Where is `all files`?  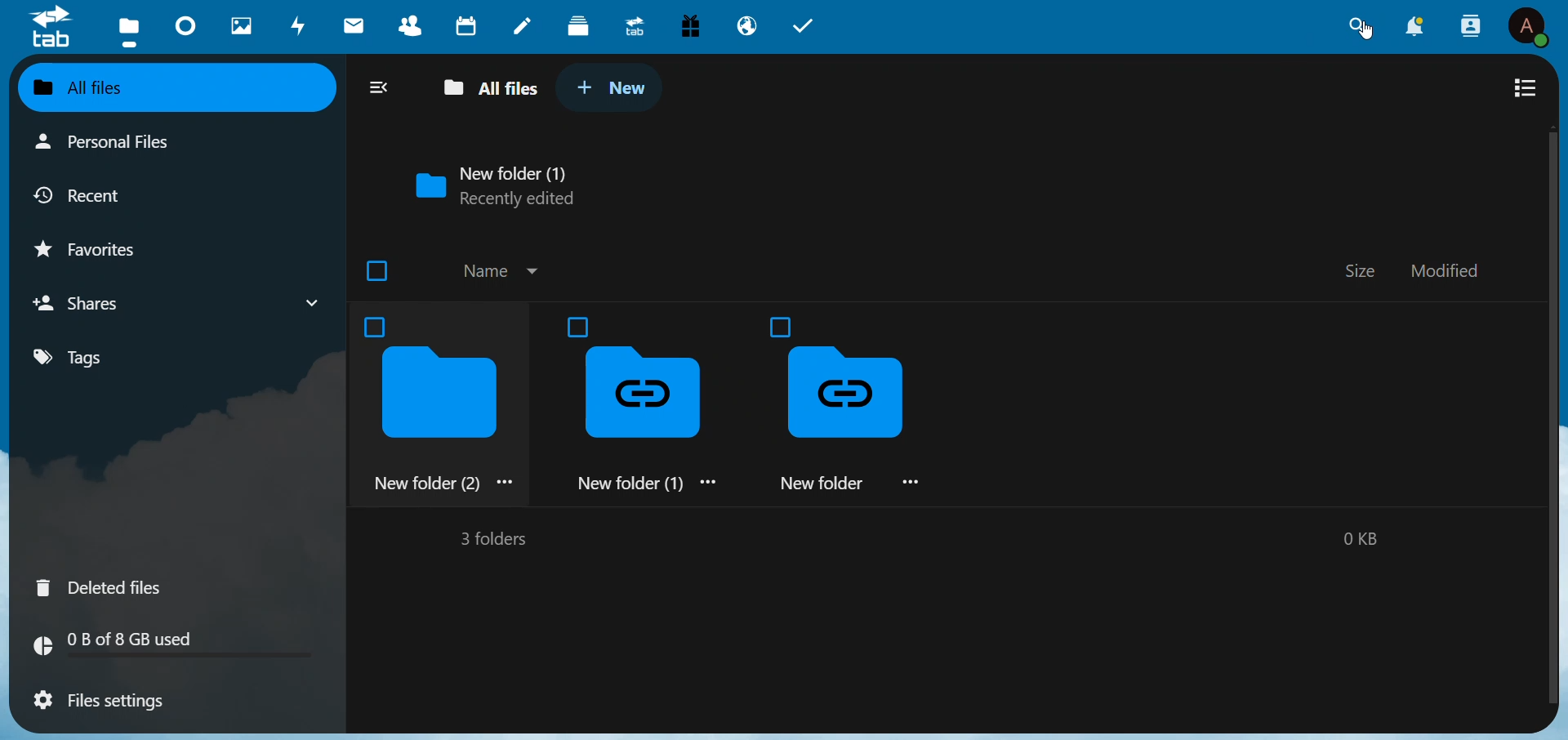
all files is located at coordinates (173, 87).